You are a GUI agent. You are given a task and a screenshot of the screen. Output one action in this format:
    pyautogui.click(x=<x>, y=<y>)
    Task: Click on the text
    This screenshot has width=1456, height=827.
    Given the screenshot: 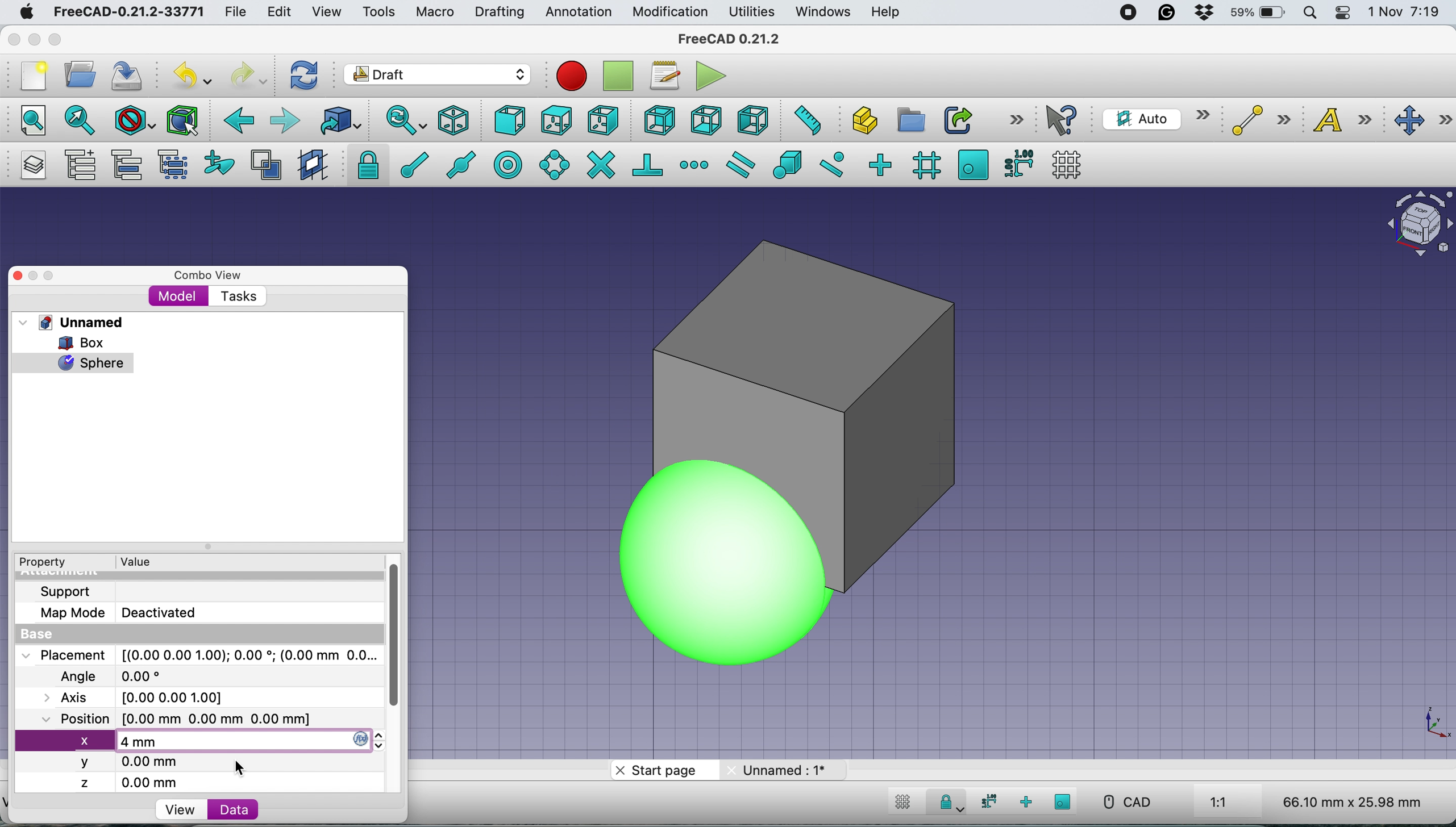 What is the action you would take?
    pyautogui.click(x=1345, y=119)
    